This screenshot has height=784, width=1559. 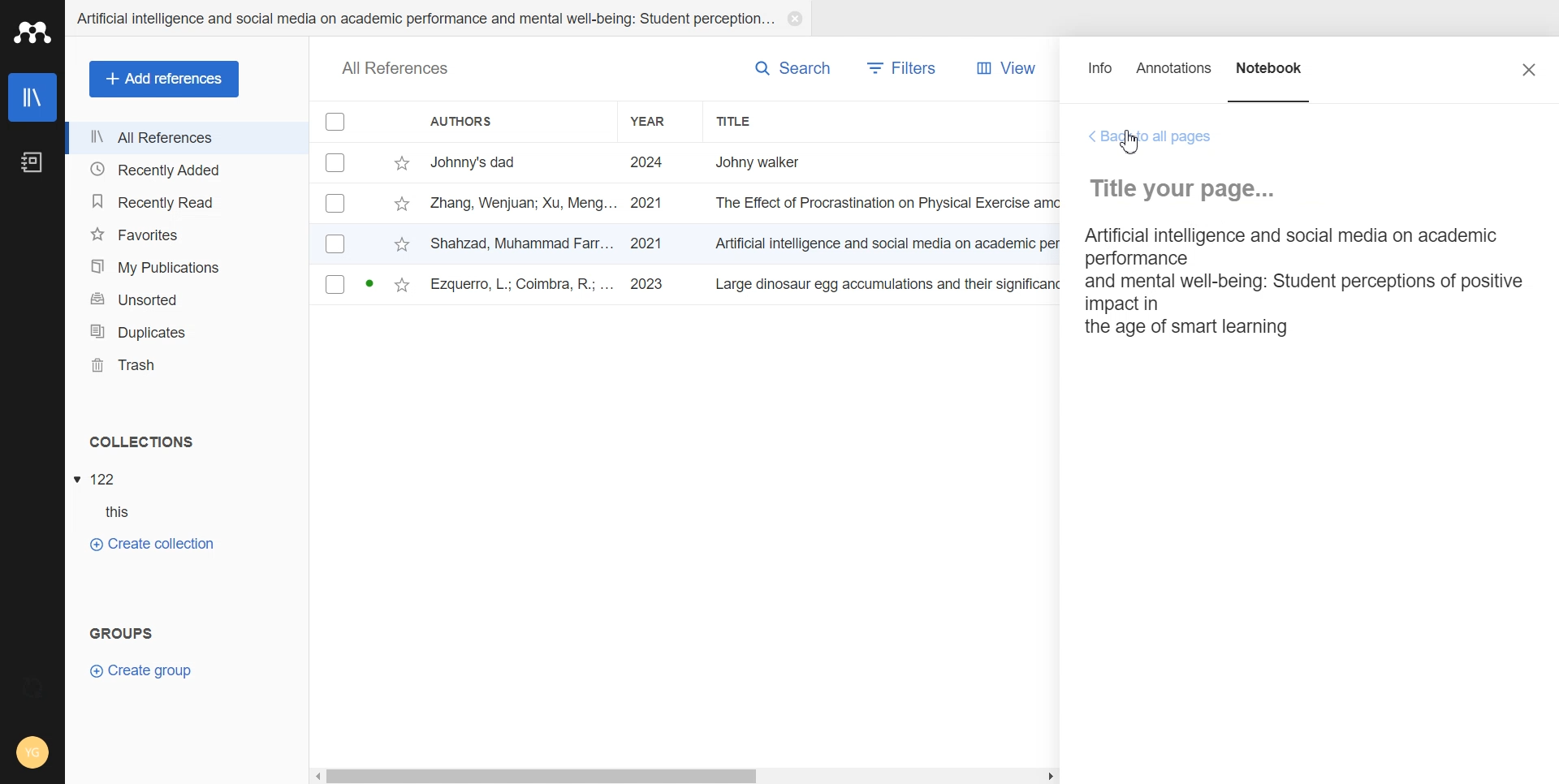 I want to click on Cursor, so click(x=1134, y=143).